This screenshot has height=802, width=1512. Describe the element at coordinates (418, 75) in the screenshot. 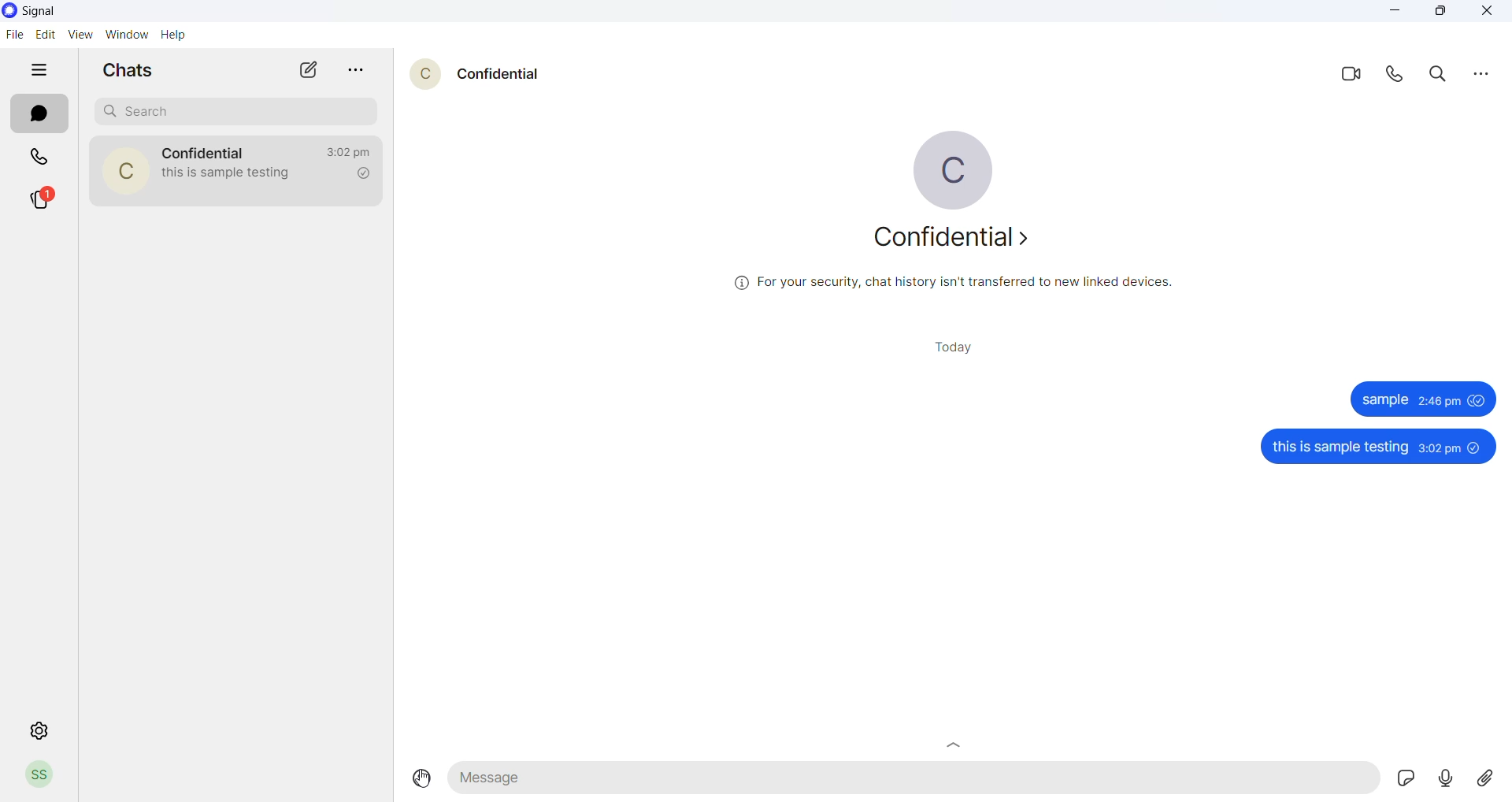

I see `contact profile picture` at that location.